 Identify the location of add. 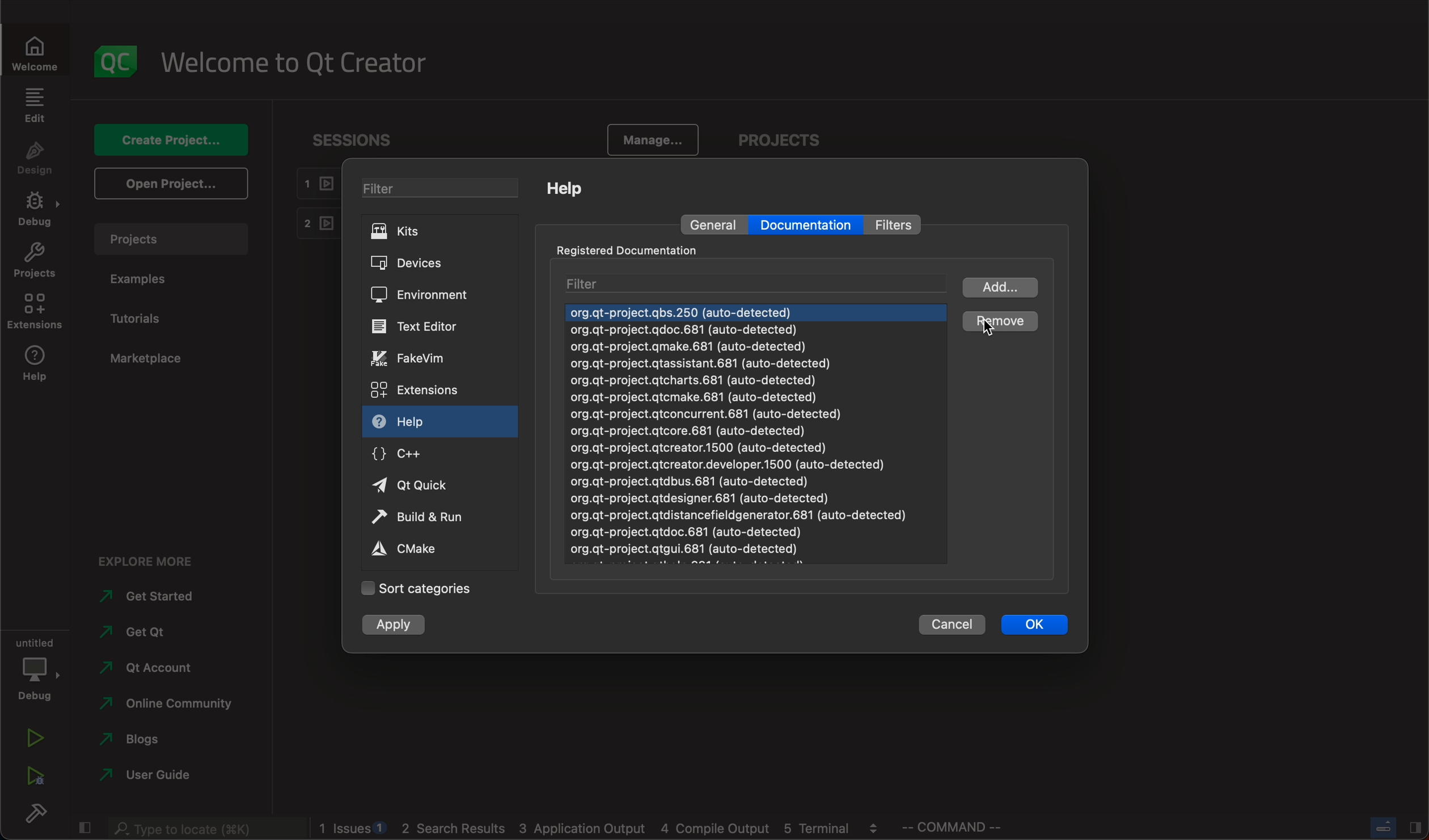
(1000, 286).